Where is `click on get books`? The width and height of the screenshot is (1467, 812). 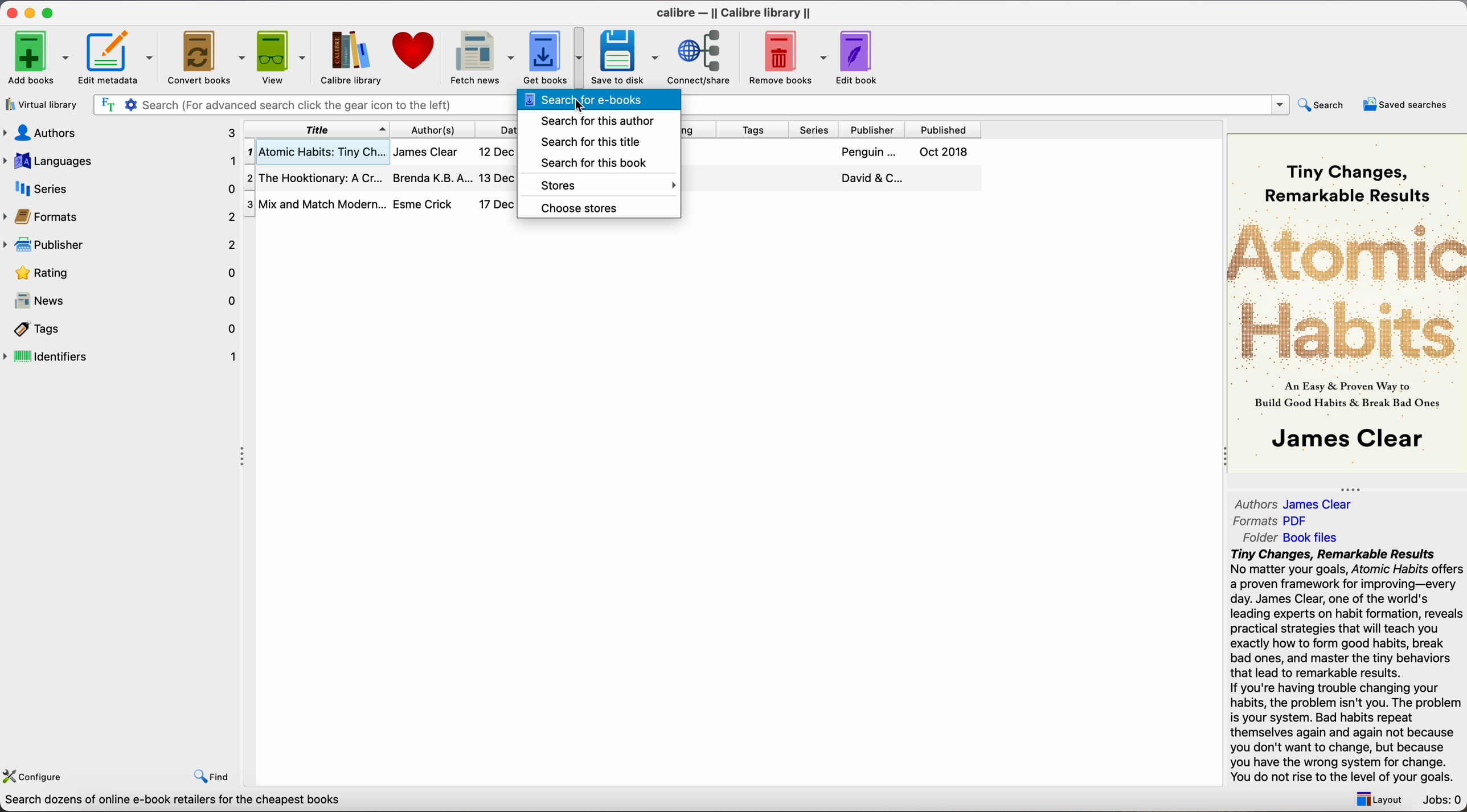 click on get books is located at coordinates (544, 56).